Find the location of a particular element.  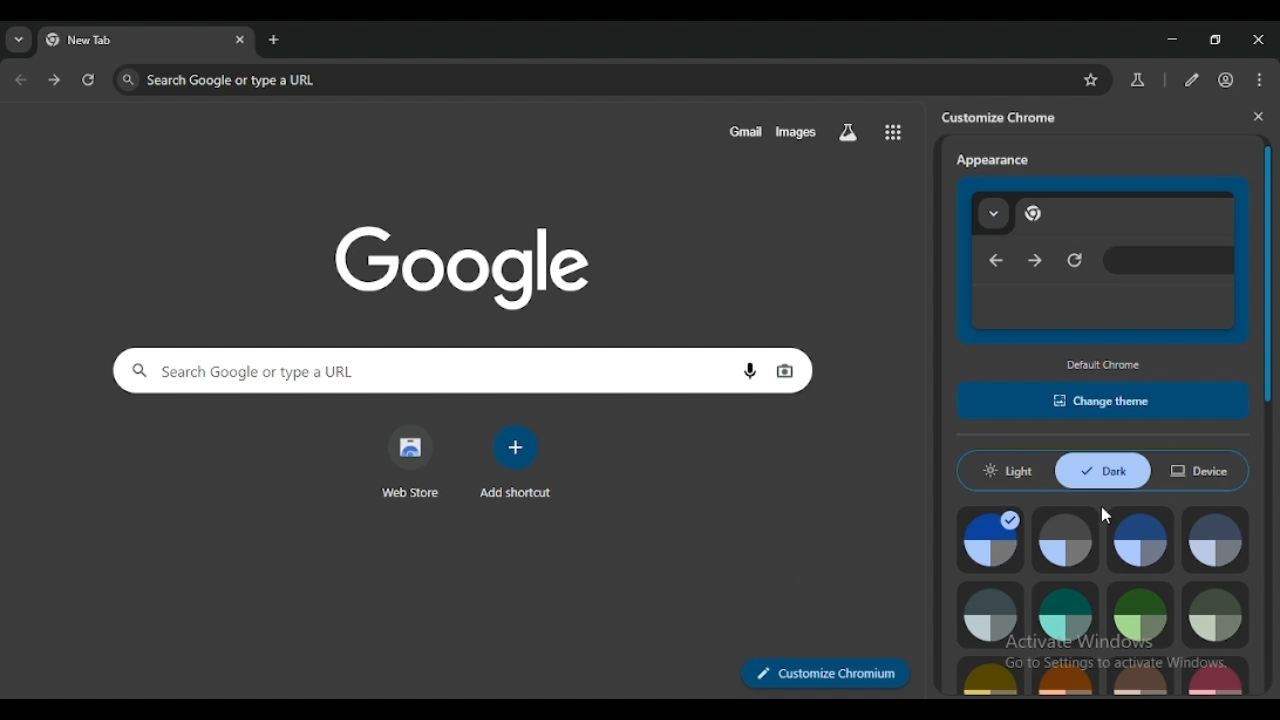

reload this page is located at coordinates (88, 80).